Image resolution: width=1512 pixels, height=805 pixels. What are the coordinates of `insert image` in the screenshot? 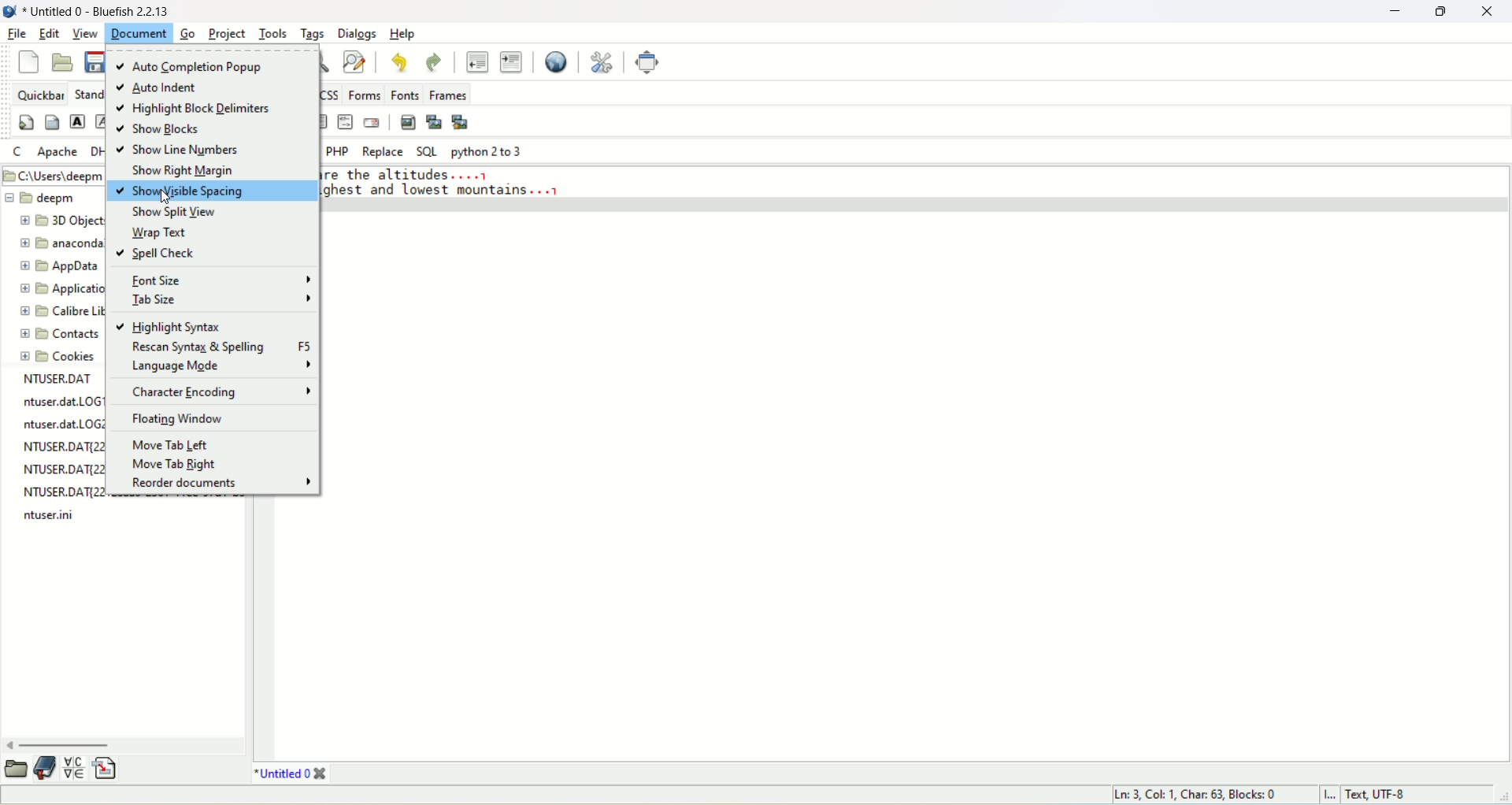 It's located at (407, 122).